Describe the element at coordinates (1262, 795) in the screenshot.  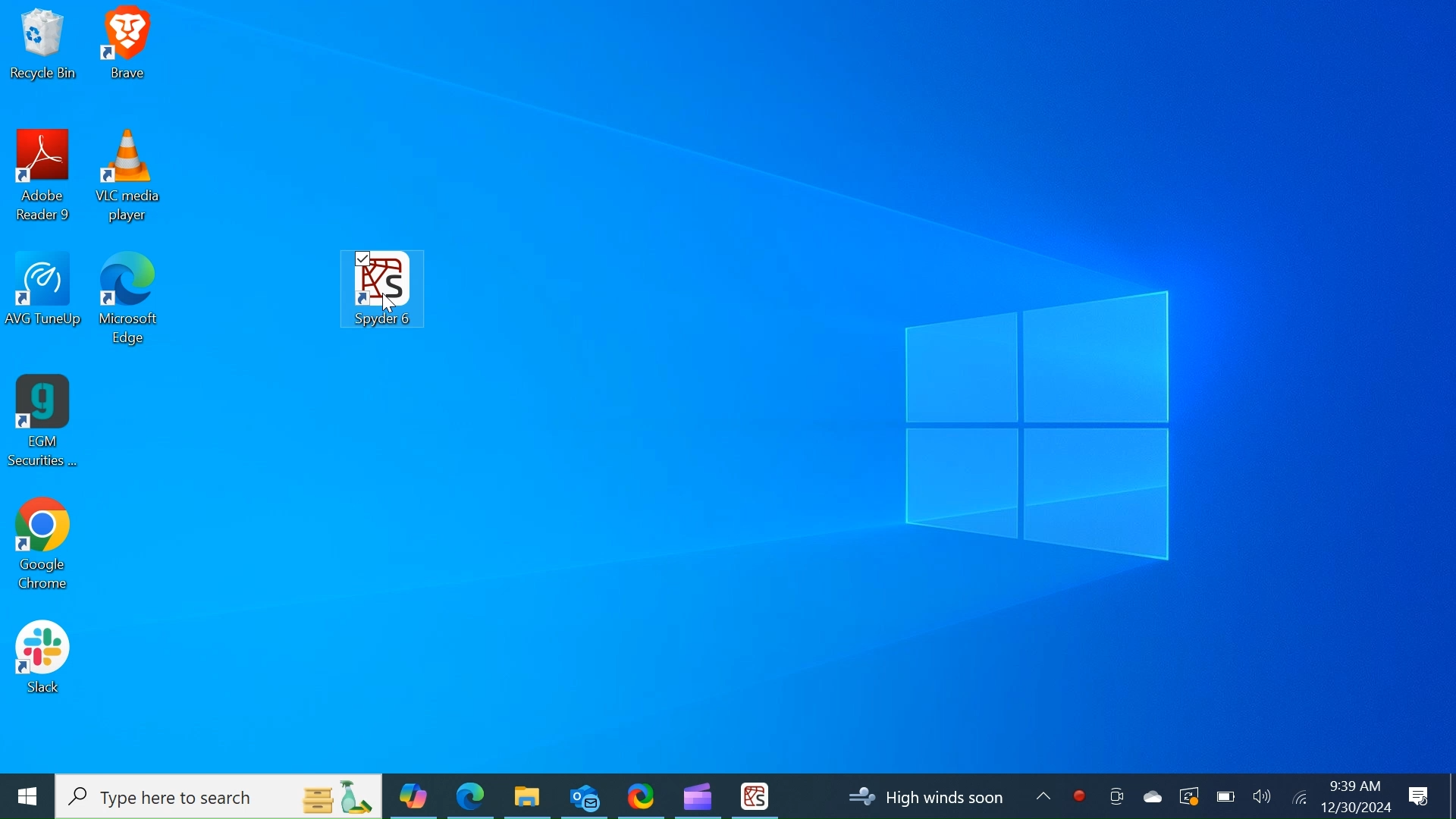
I see `Speaker` at that location.